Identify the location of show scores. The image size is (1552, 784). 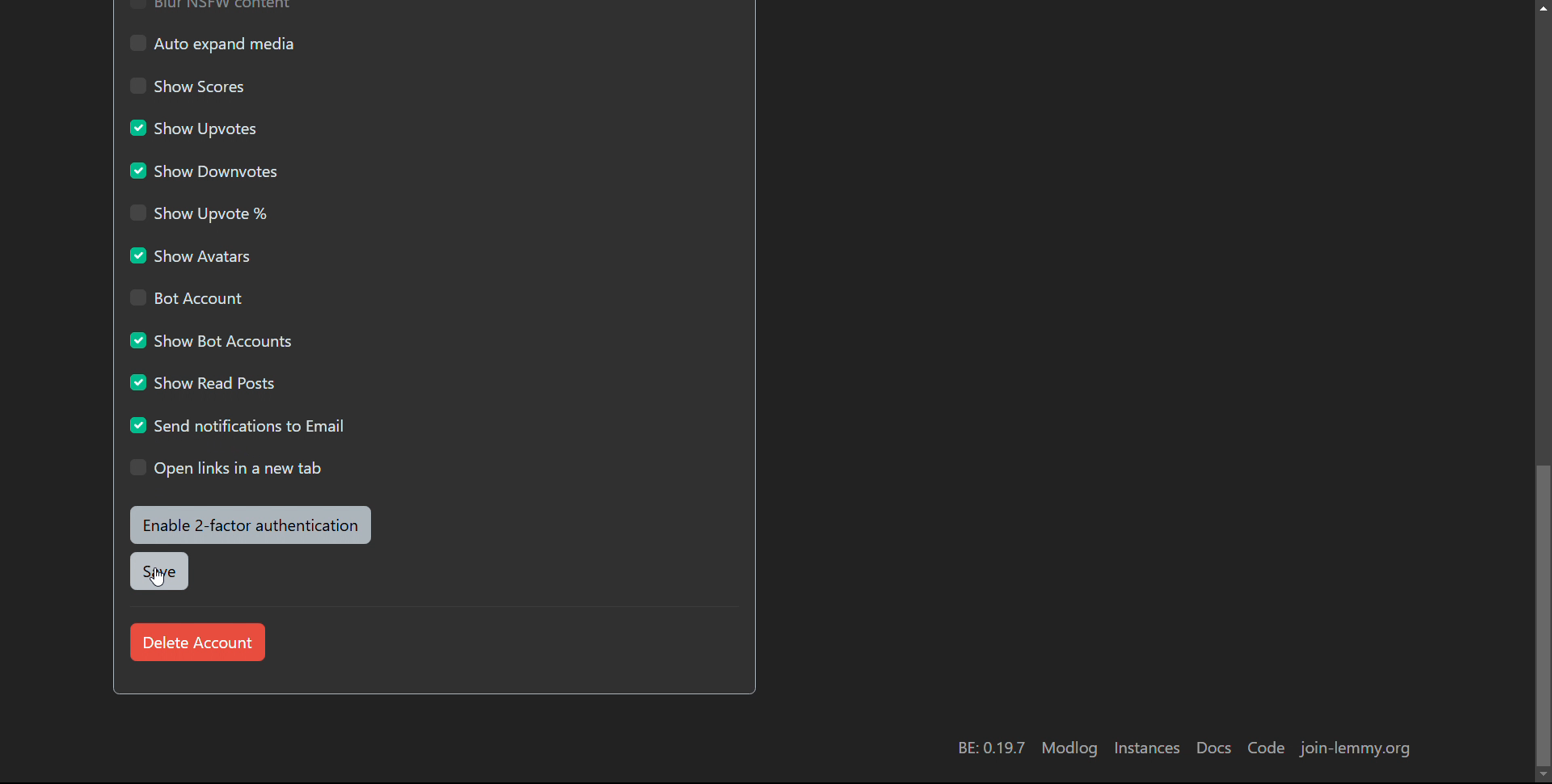
(192, 86).